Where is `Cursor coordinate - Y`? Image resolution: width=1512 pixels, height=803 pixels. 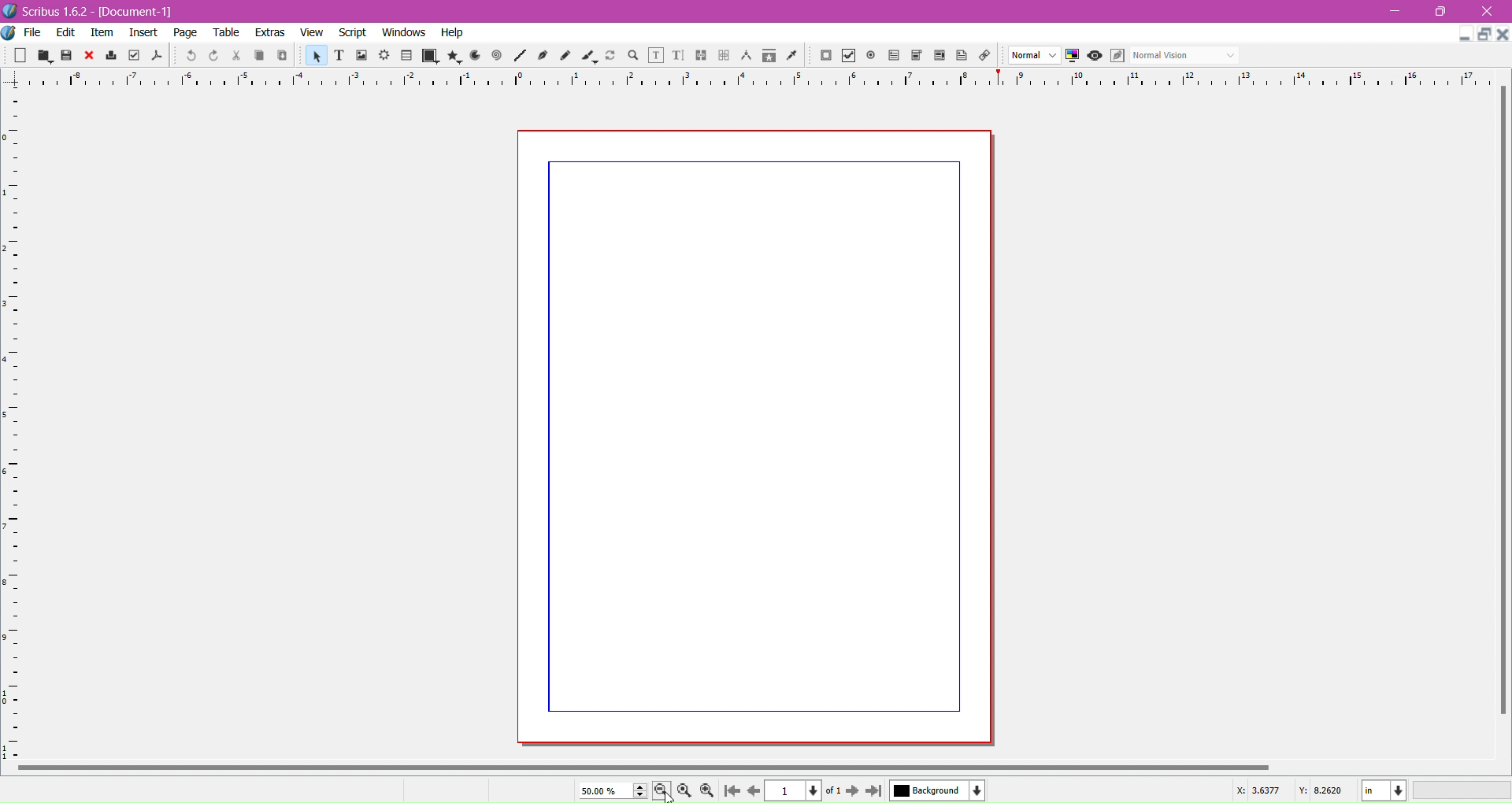 Cursor coordinate - Y is located at coordinates (1324, 792).